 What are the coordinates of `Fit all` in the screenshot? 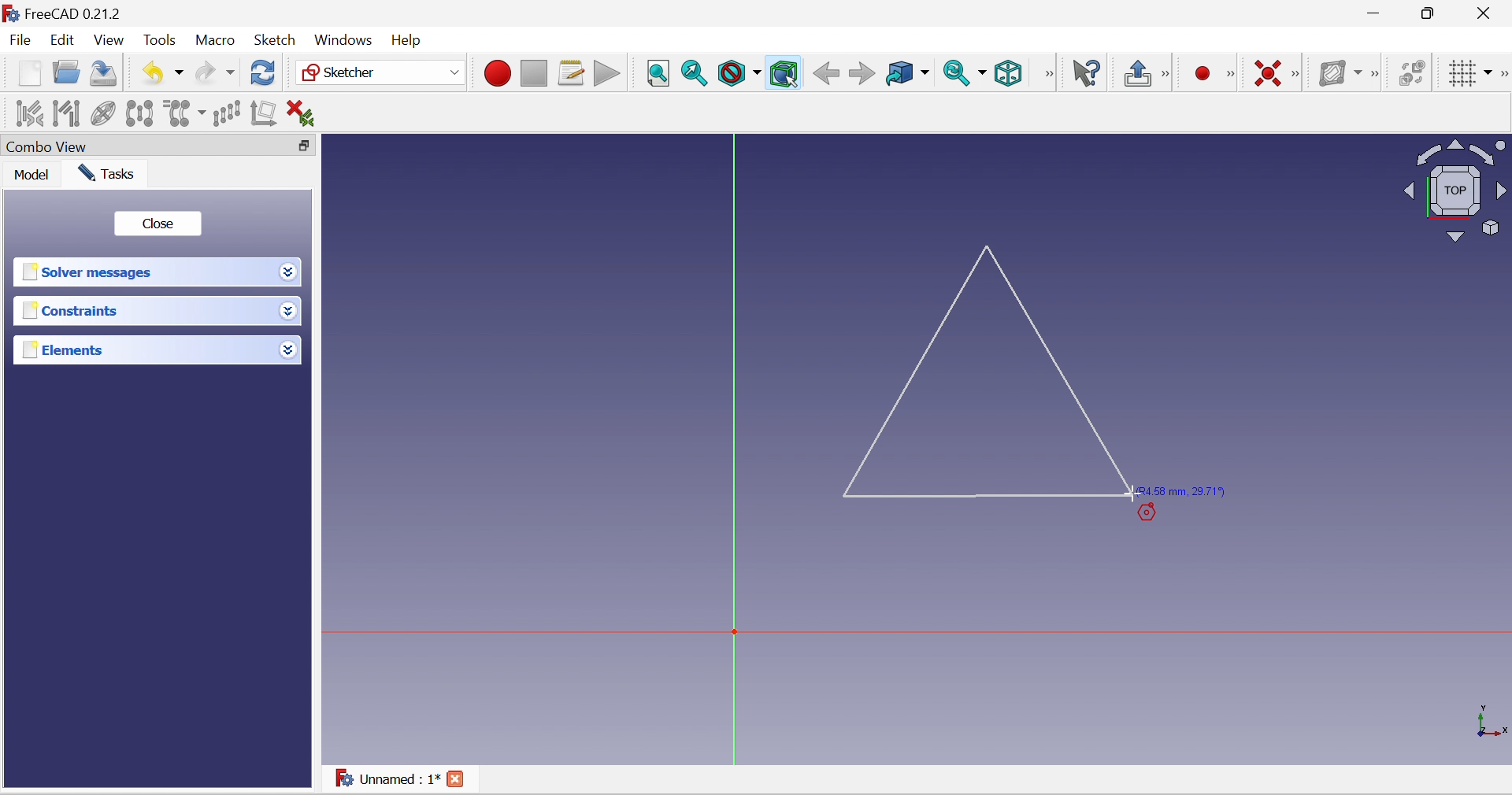 It's located at (659, 75).